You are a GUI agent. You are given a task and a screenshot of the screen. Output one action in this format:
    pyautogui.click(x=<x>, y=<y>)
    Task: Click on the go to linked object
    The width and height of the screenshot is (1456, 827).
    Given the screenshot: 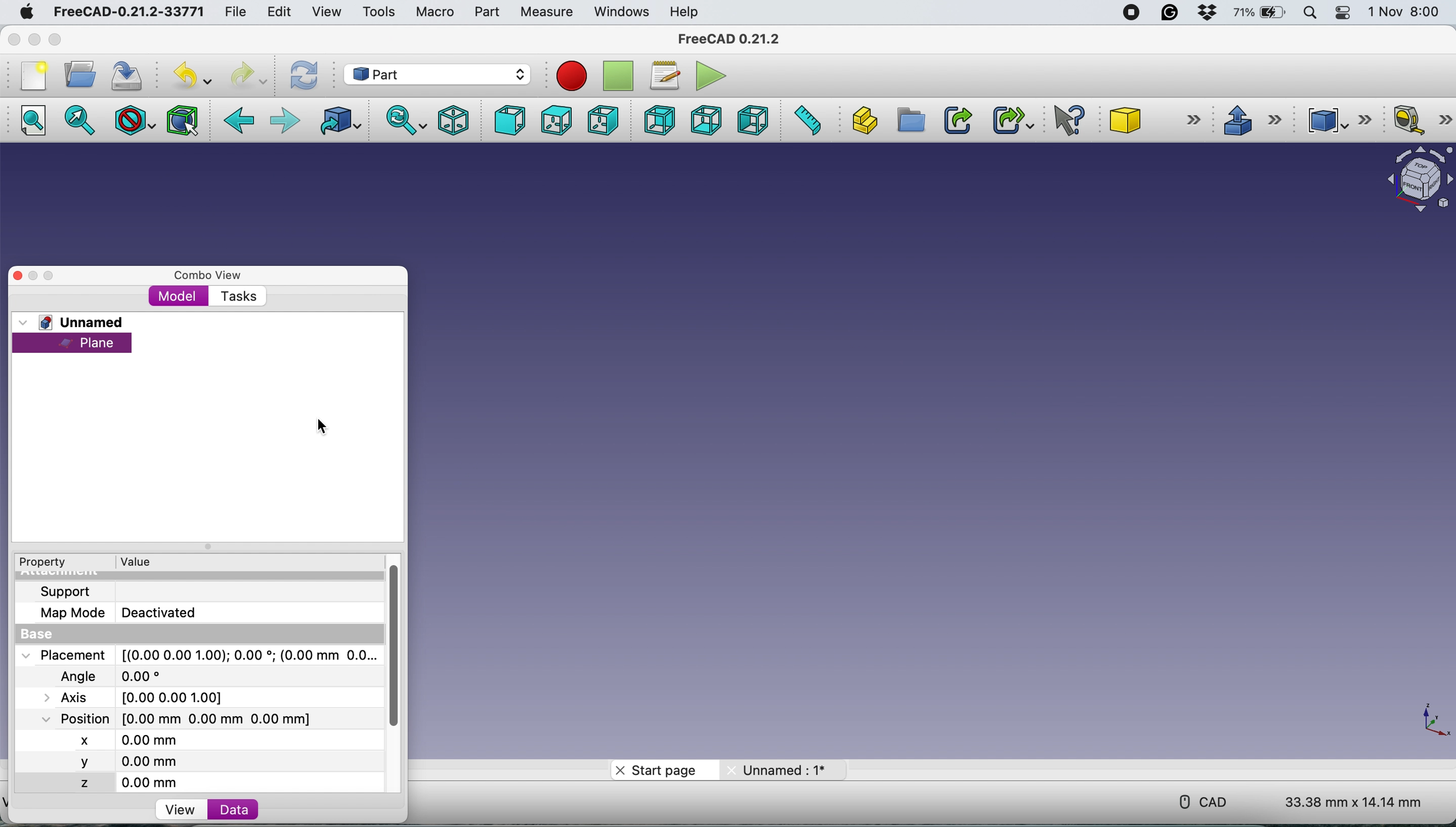 What is the action you would take?
    pyautogui.click(x=337, y=121)
    